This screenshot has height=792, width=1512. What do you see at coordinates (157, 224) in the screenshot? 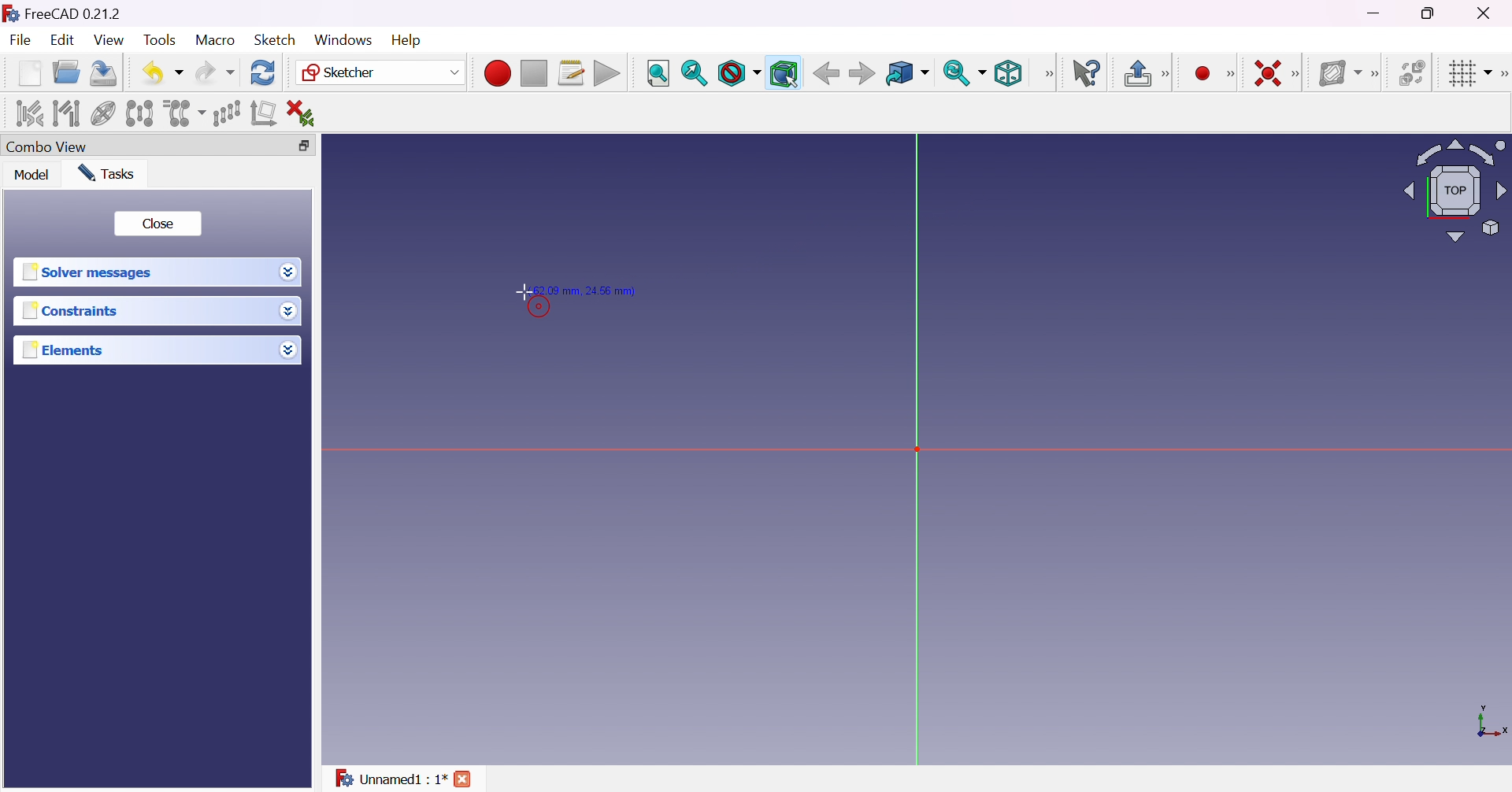
I see `Close` at bounding box center [157, 224].